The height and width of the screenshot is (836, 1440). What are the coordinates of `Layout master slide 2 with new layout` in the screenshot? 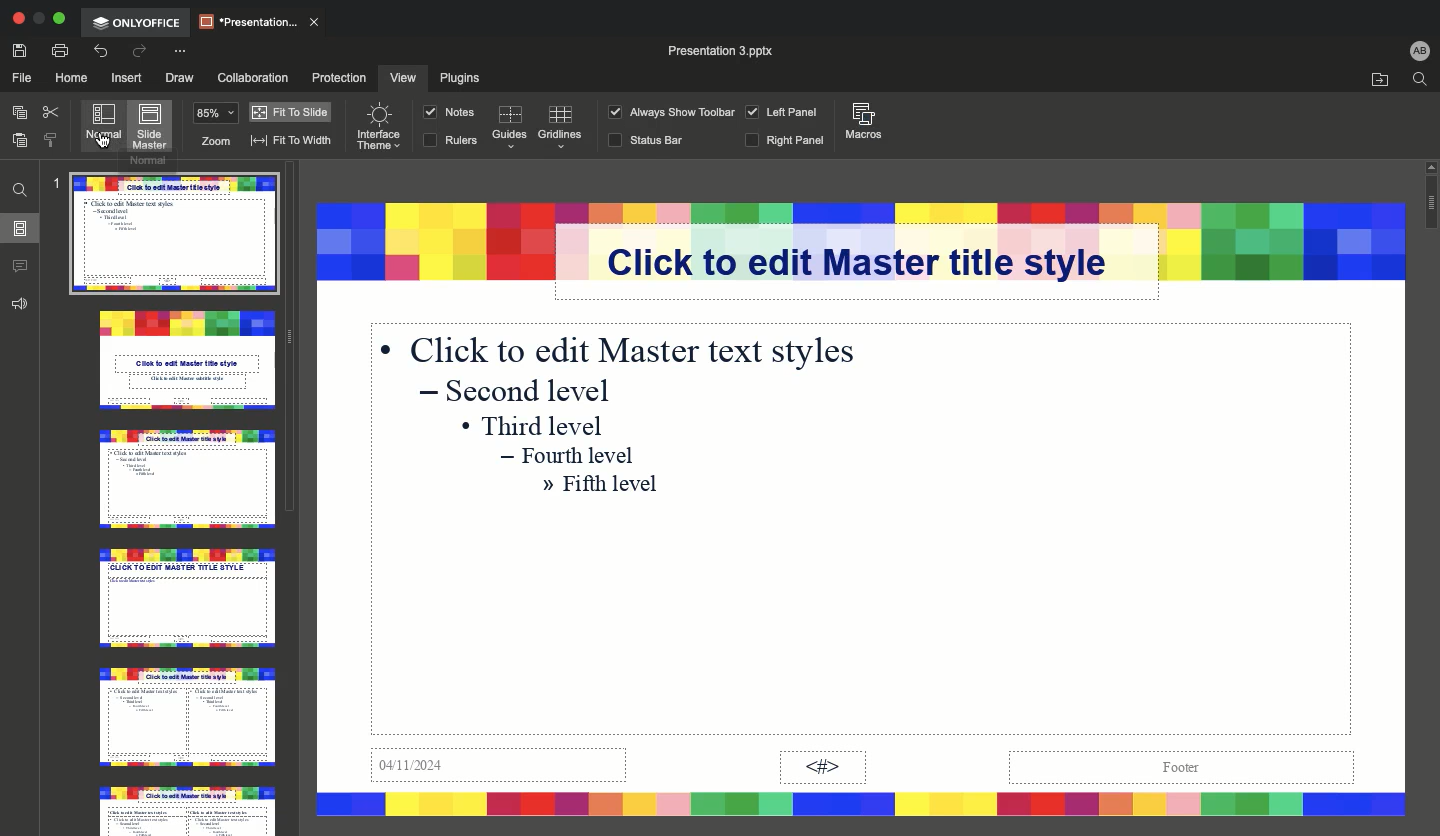 It's located at (188, 364).